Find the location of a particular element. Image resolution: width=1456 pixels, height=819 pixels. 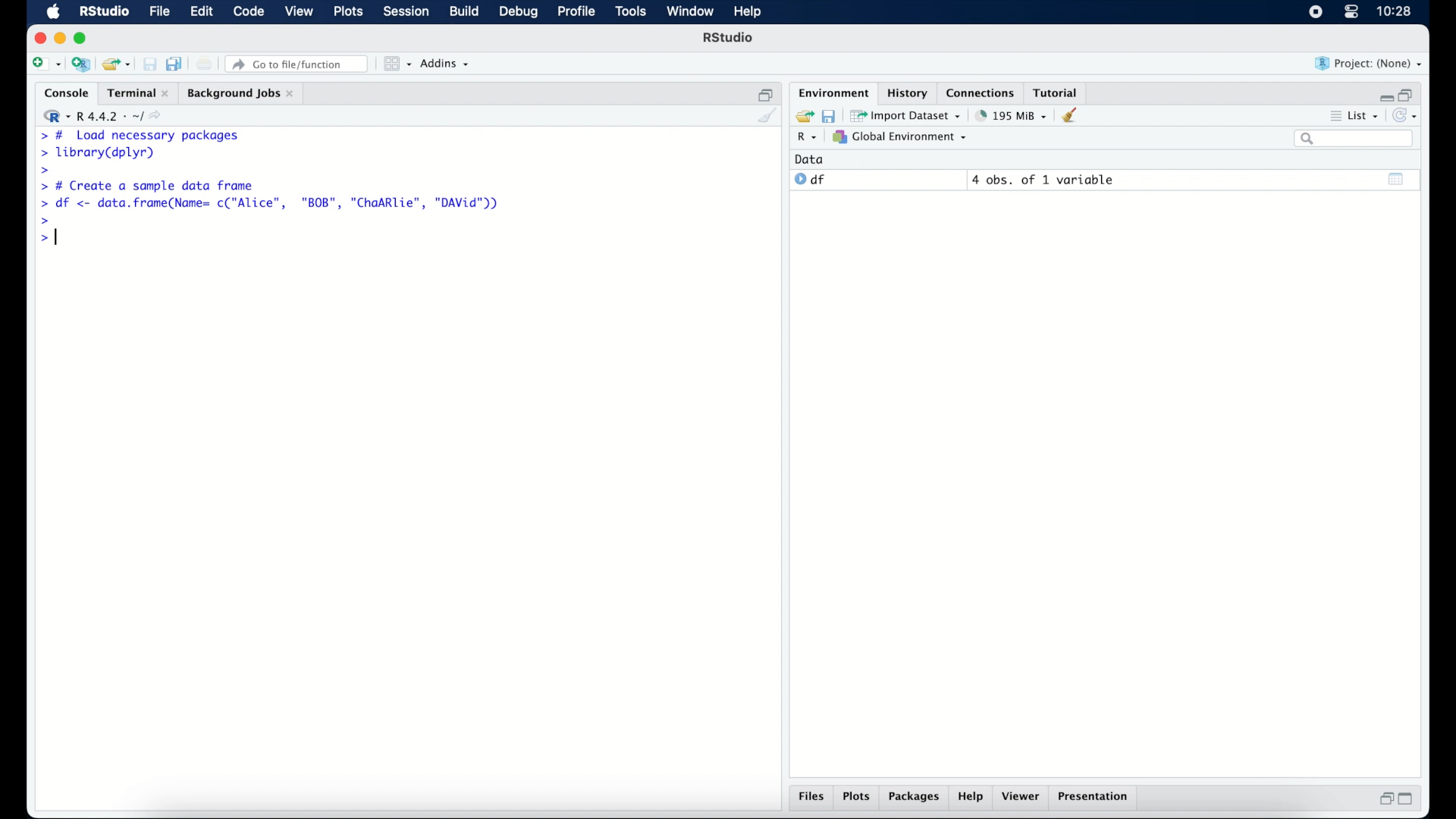

R is located at coordinates (805, 139).